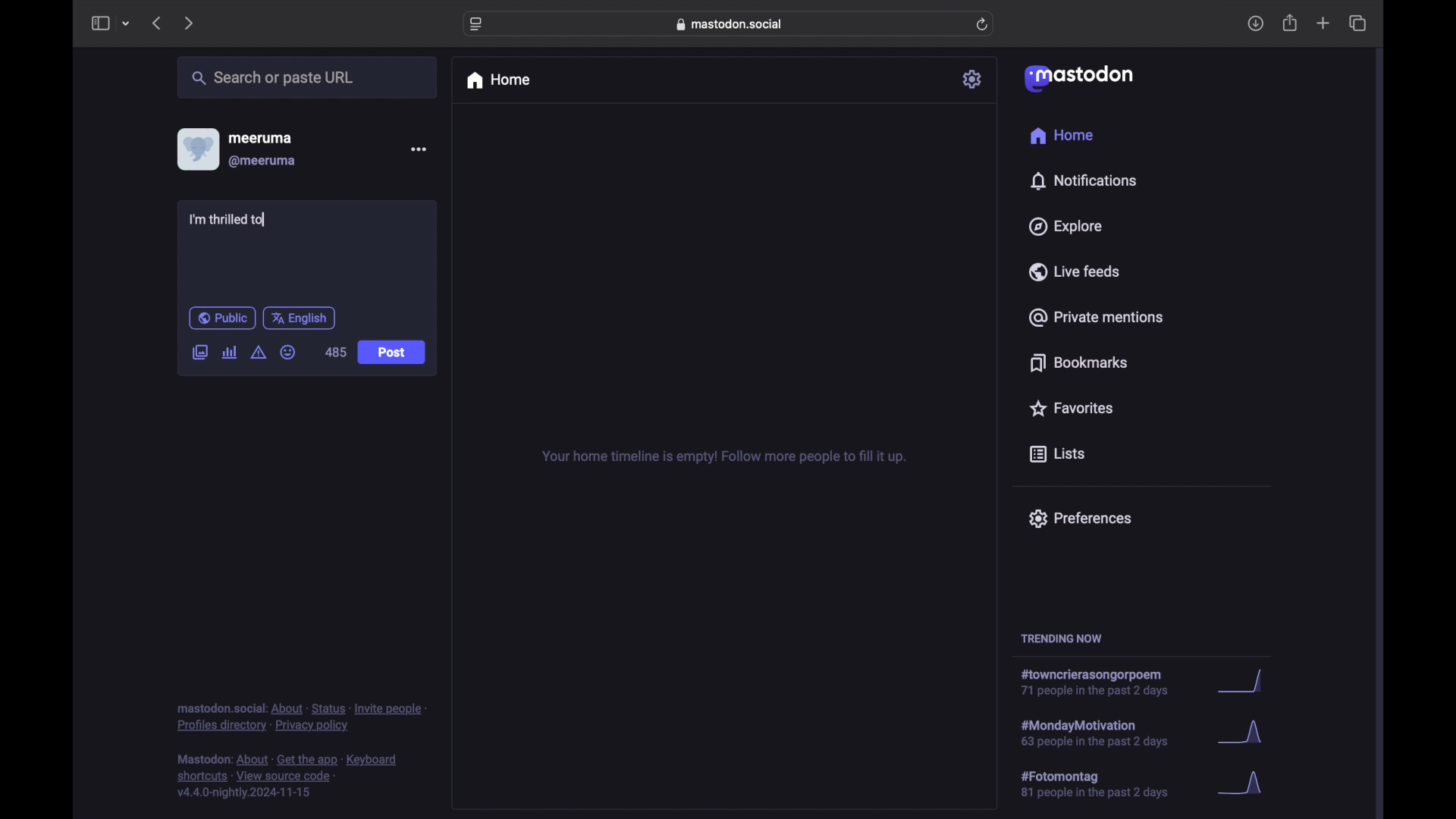 Image resolution: width=1456 pixels, height=819 pixels. What do you see at coordinates (497, 80) in the screenshot?
I see `home` at bounding box center [497, 80].